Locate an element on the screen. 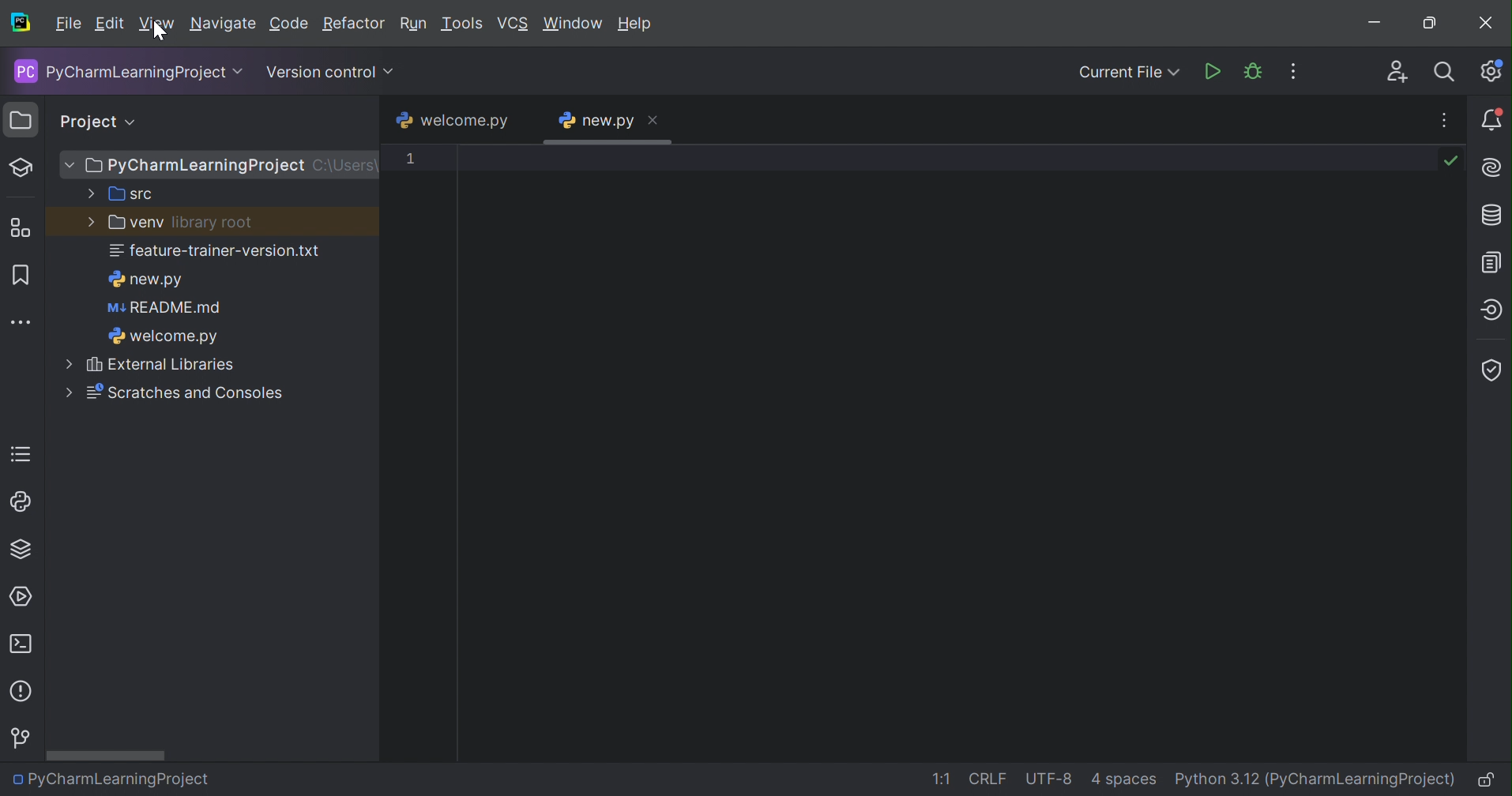  Database is located at coordinates (1493, 216).